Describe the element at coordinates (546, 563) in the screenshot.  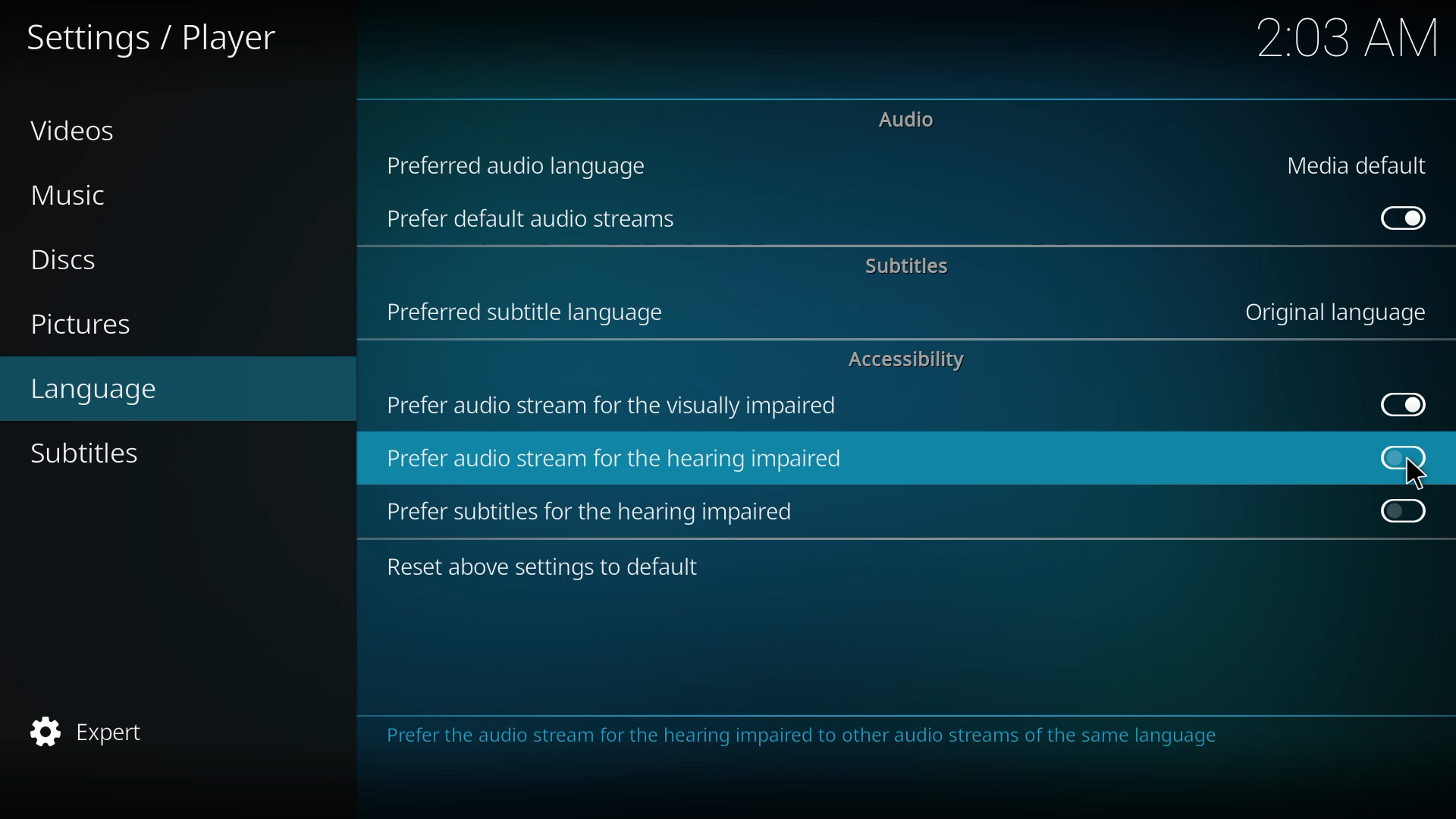
I see `reset to default` at that location.